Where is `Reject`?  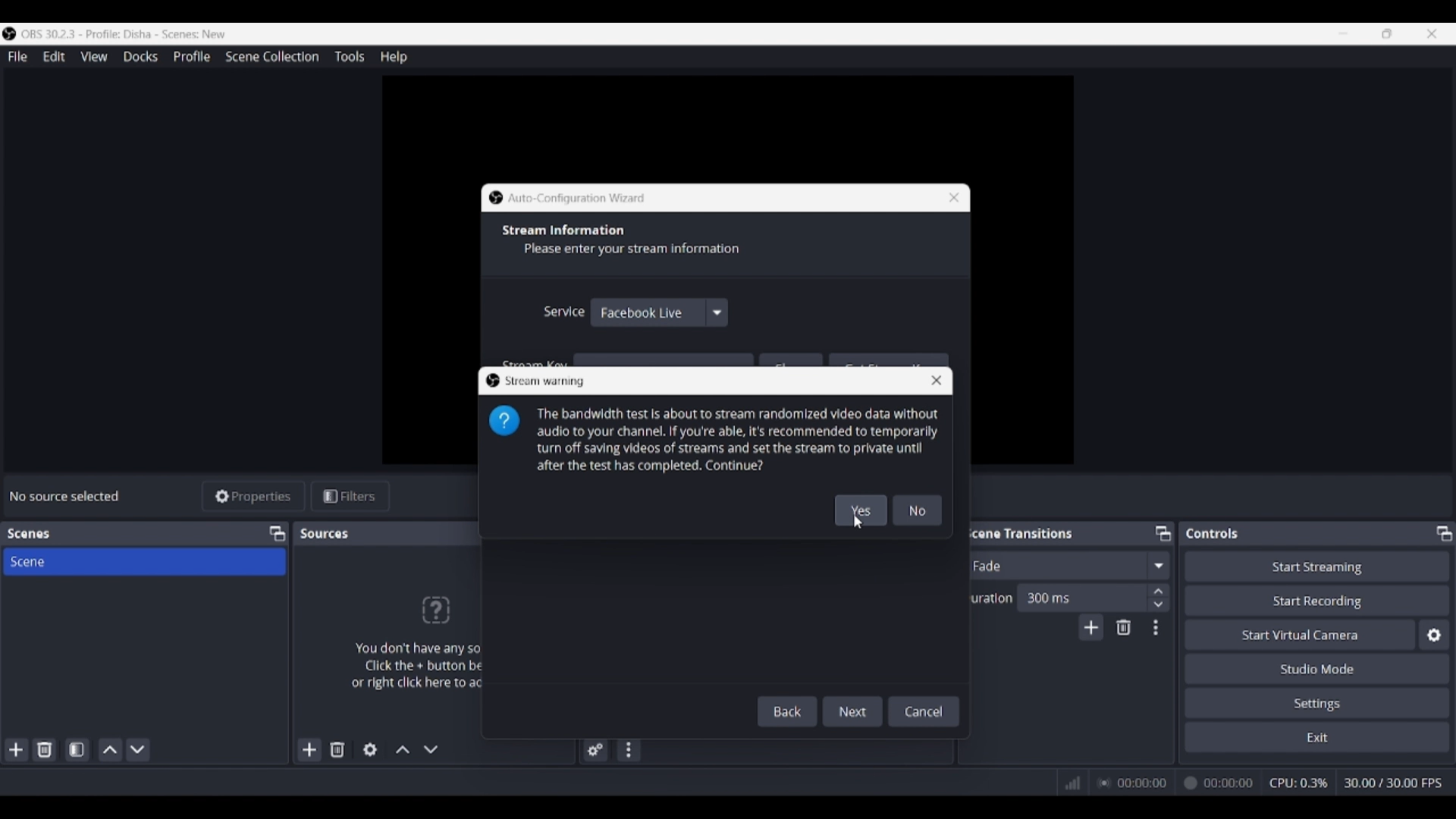
Reject is located at coordinates (918, 510).